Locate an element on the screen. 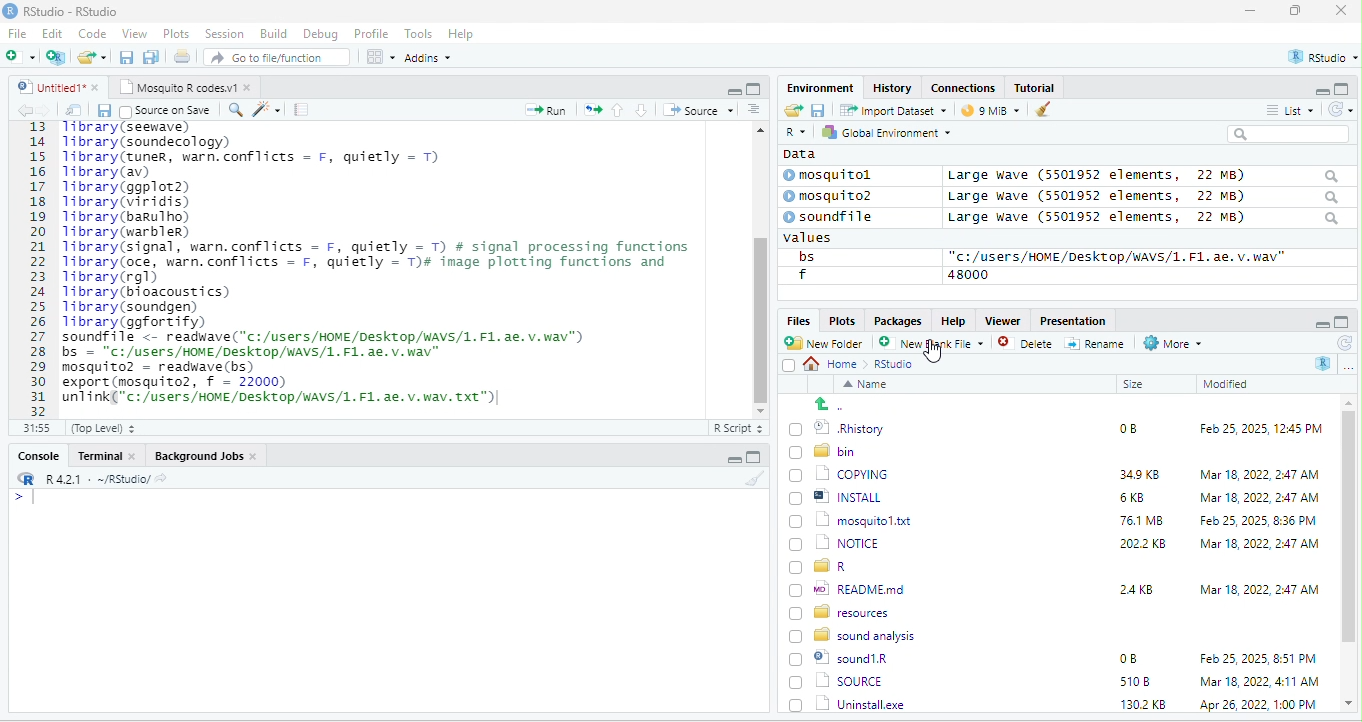 This screenshot has height=722, width=1362. Modified is located at coordinates (1227, 384).